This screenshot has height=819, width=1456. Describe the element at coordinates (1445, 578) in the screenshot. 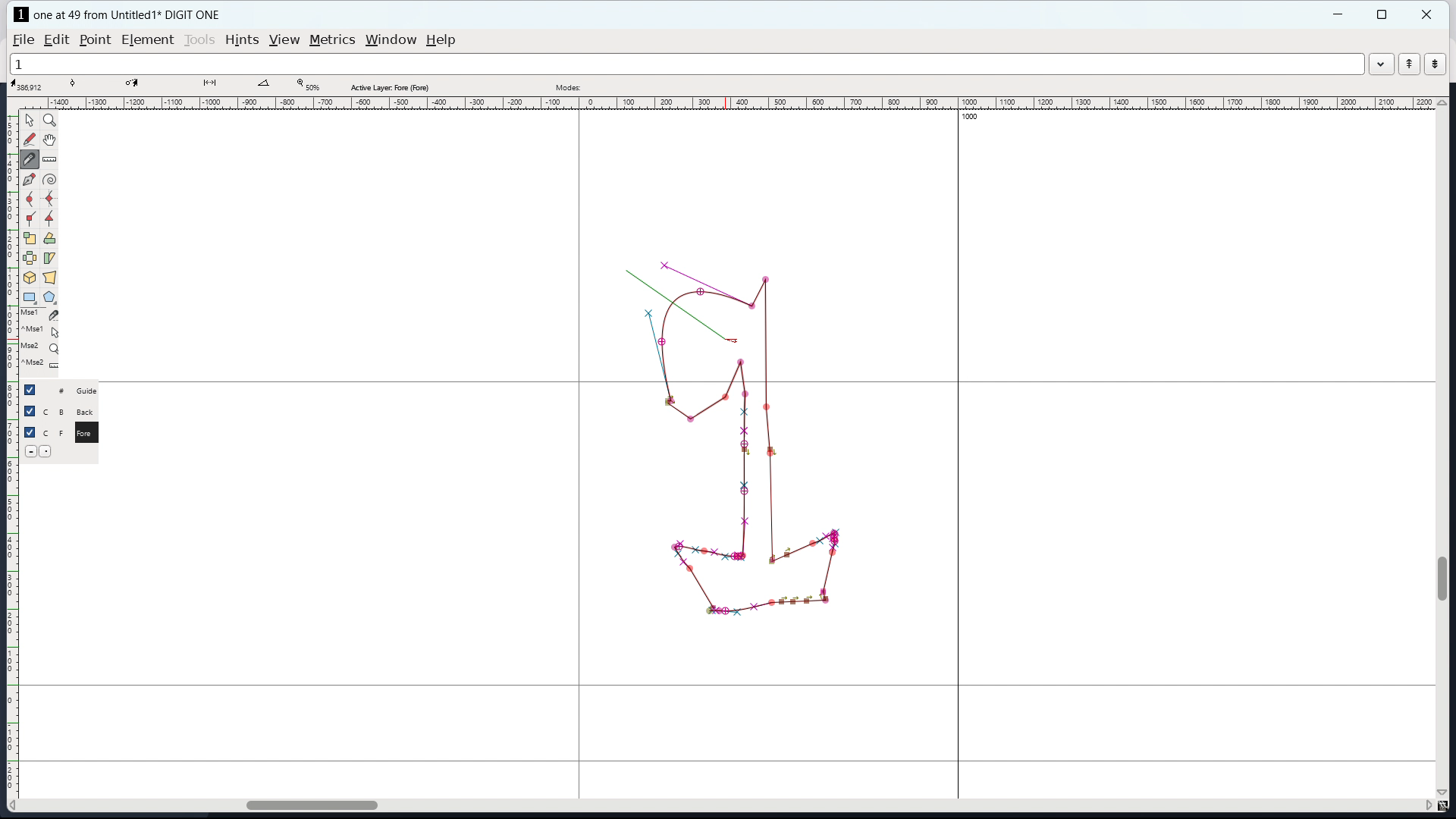

I see `vertical scrollbar` at that location.